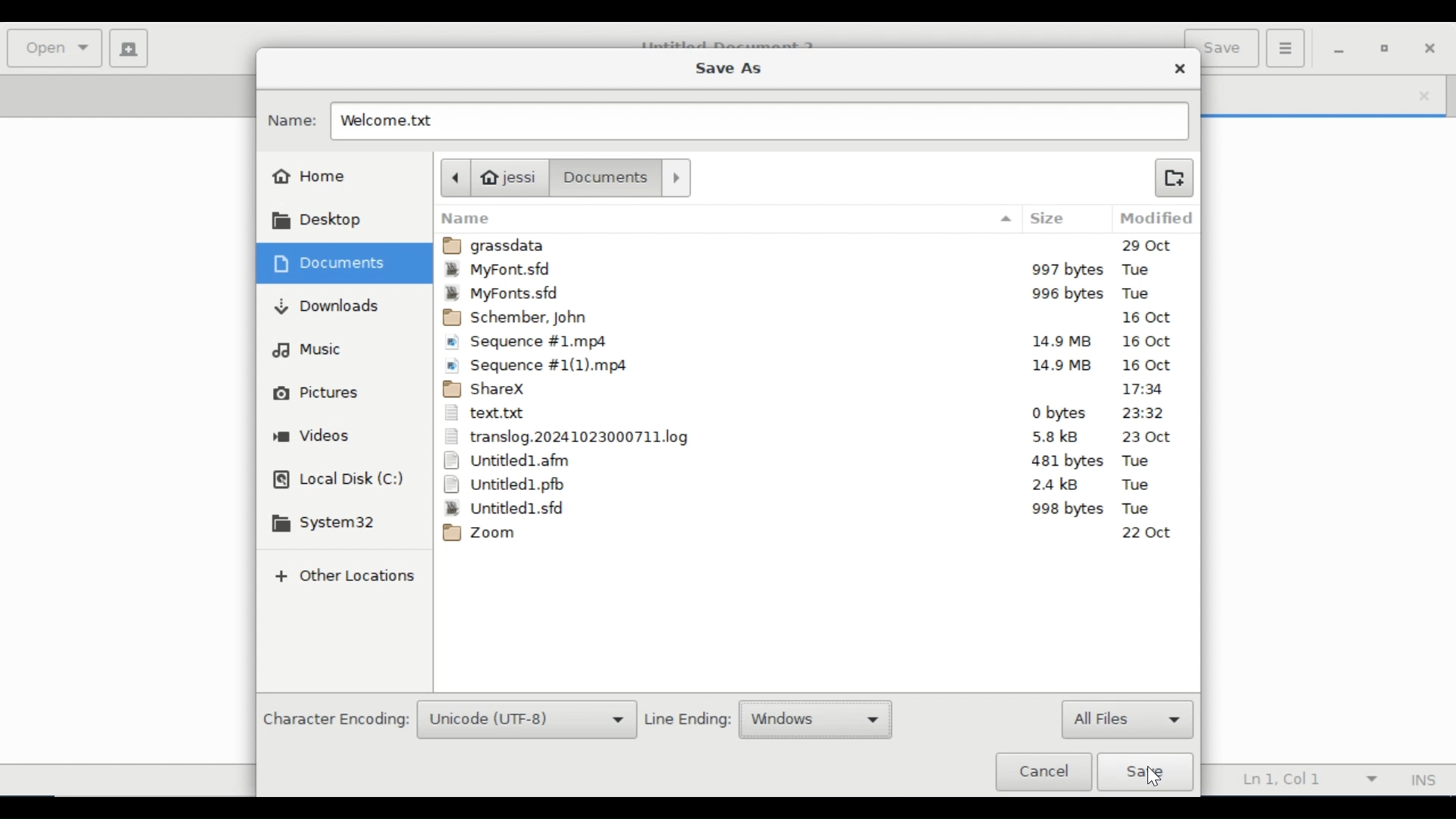  What do you see at coordinates (810, 508) in the screenshot?
I see `Untitled1.sfd` at bounding box center [810, 508].